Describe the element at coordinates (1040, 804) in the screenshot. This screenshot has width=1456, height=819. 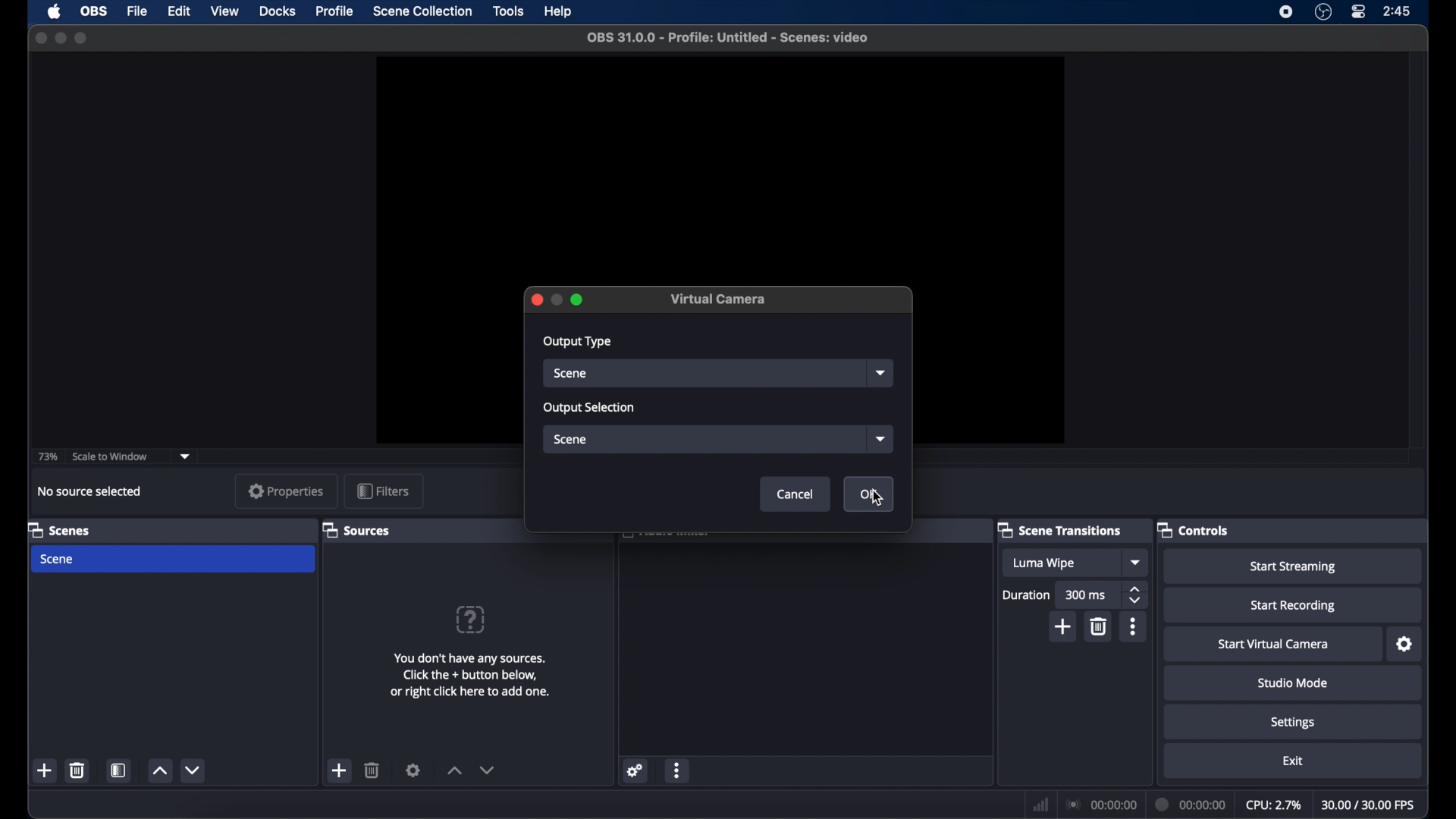
I see `netwrok` at that location.